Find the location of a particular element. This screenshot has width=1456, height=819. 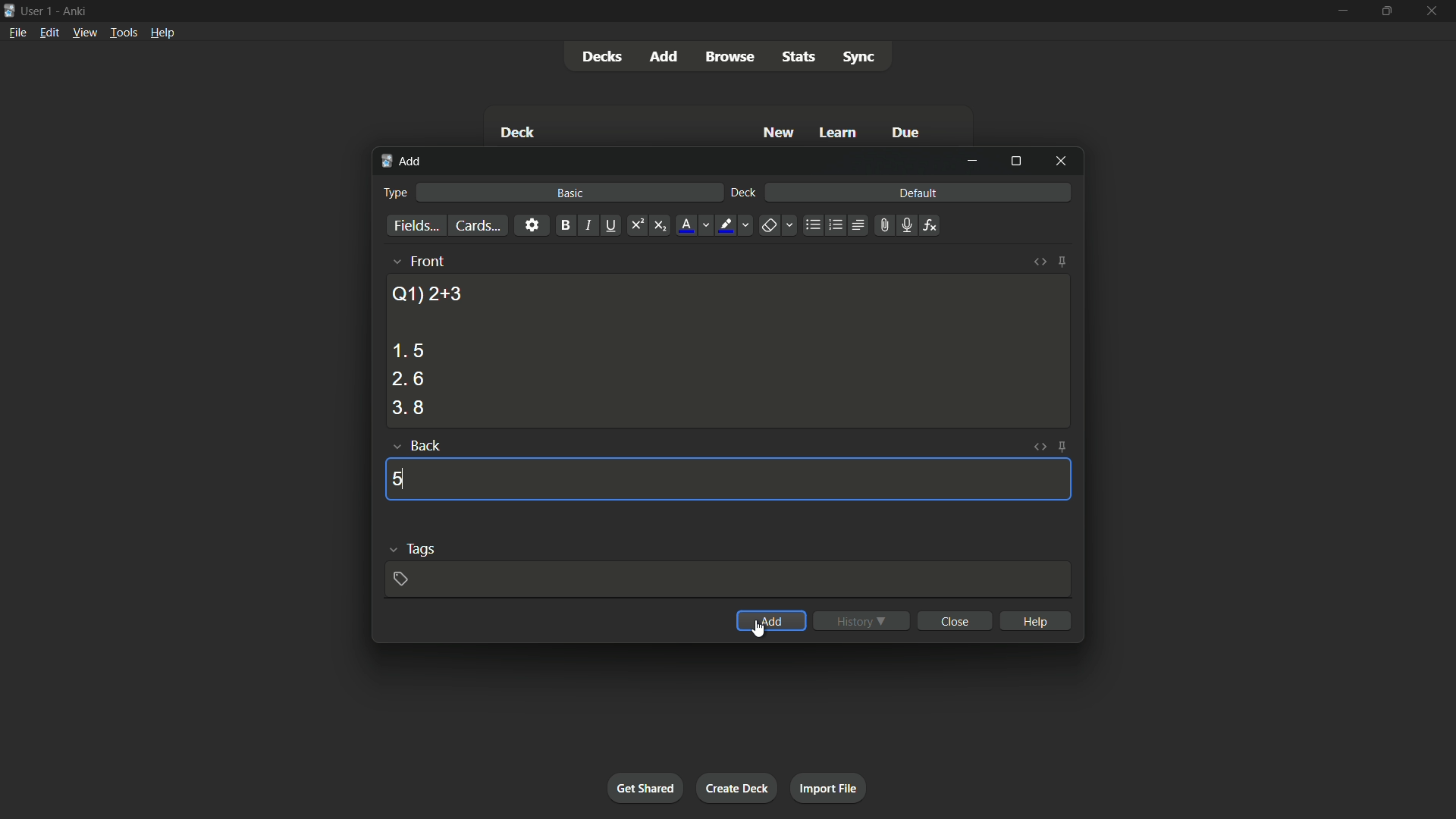

toggle sticky is located at coordinates (1063, 447).